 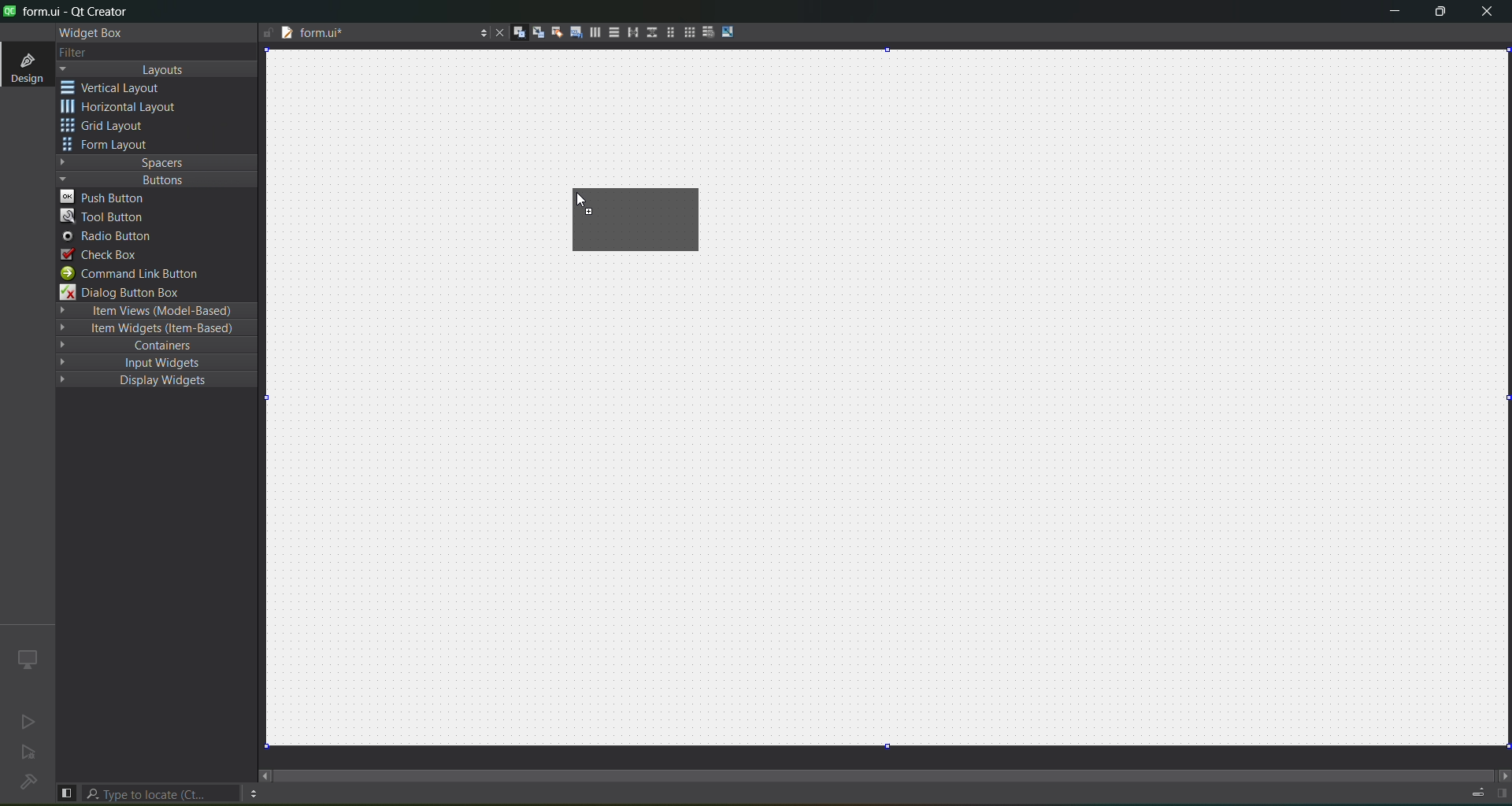 I want to click on design, so click(x=25, y=66).